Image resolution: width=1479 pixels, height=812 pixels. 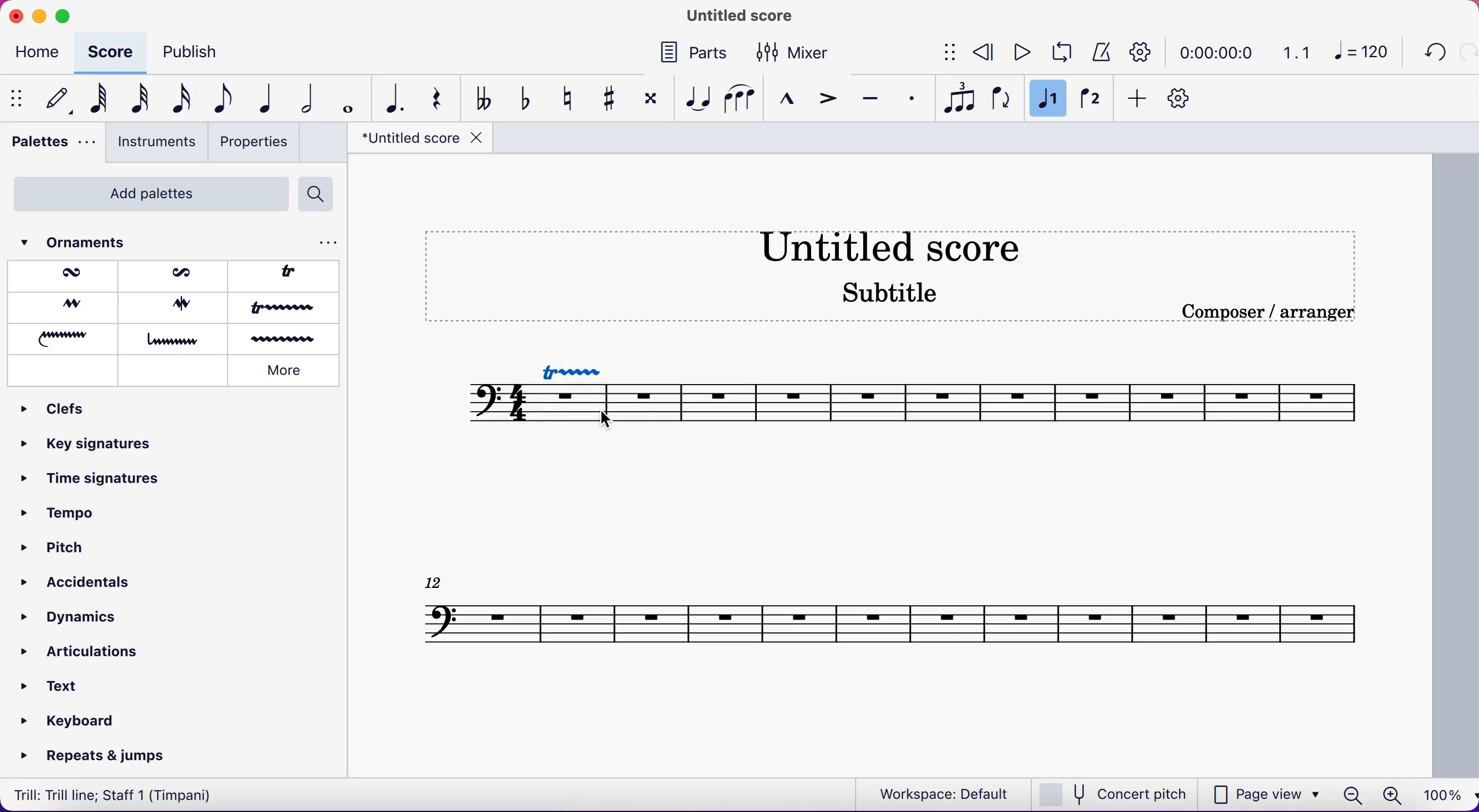 I want to click on vibrato or shake, so click(x=285, y=340).